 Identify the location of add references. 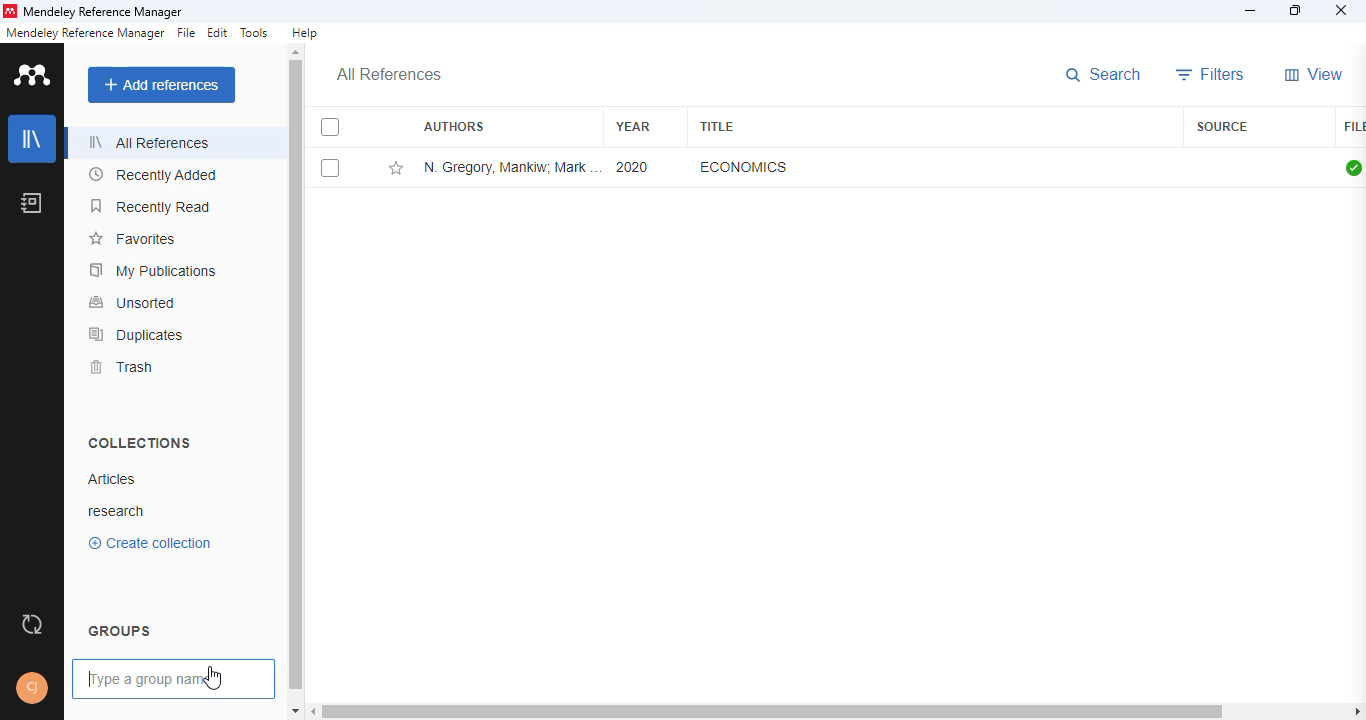
(162, 85).